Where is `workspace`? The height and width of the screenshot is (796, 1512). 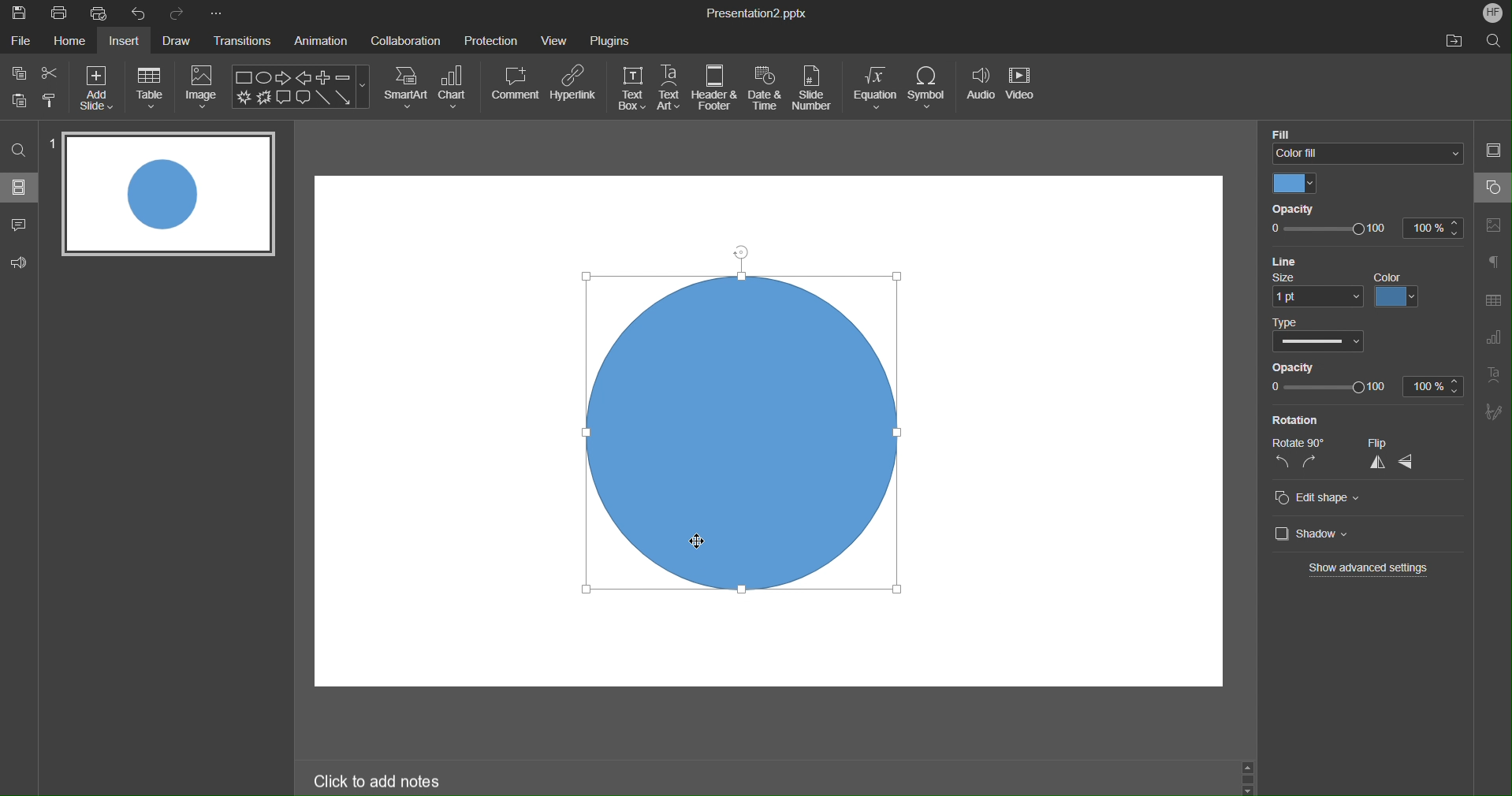
workspace is located at coordinates (1084, 400).